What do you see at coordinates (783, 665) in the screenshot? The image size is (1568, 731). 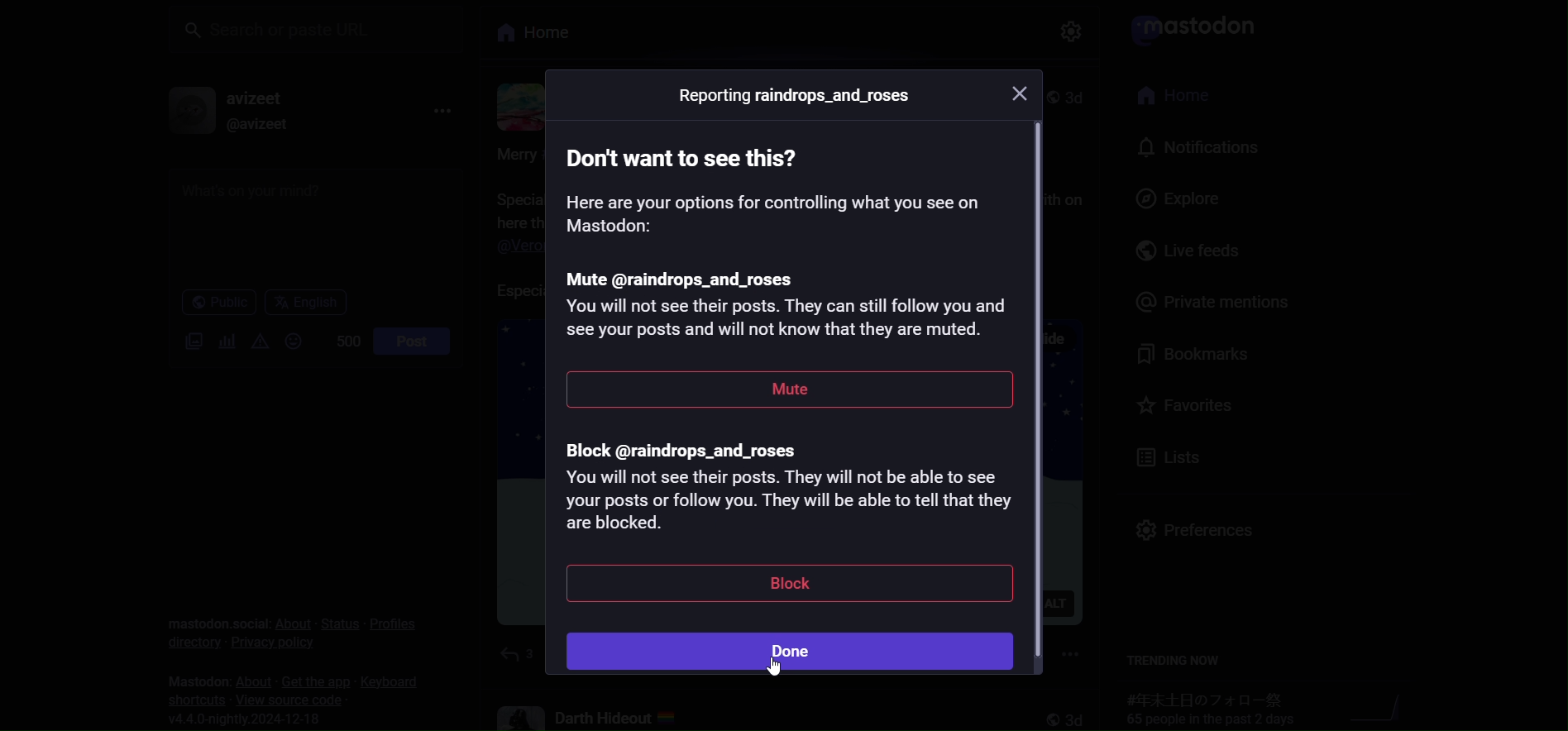 I see `cursor` at bounding box center [783, 665].